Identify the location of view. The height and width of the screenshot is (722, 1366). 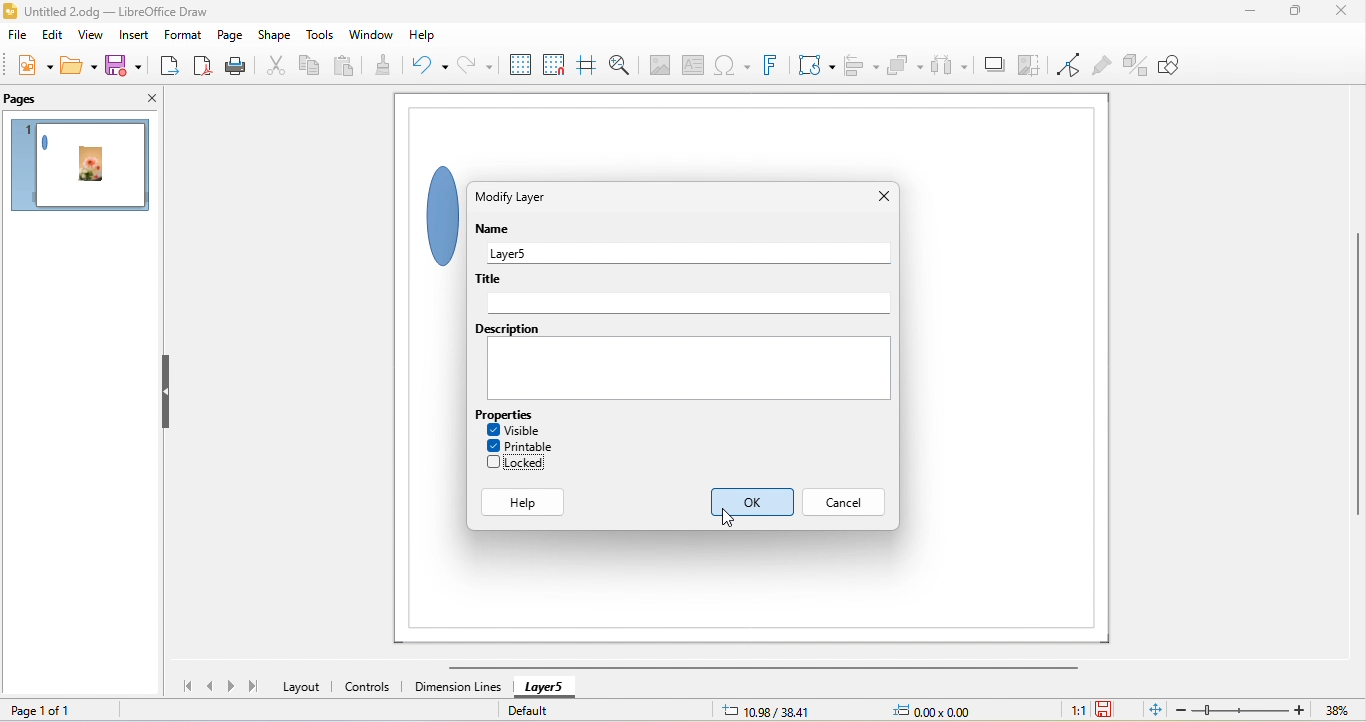
(91, 37).